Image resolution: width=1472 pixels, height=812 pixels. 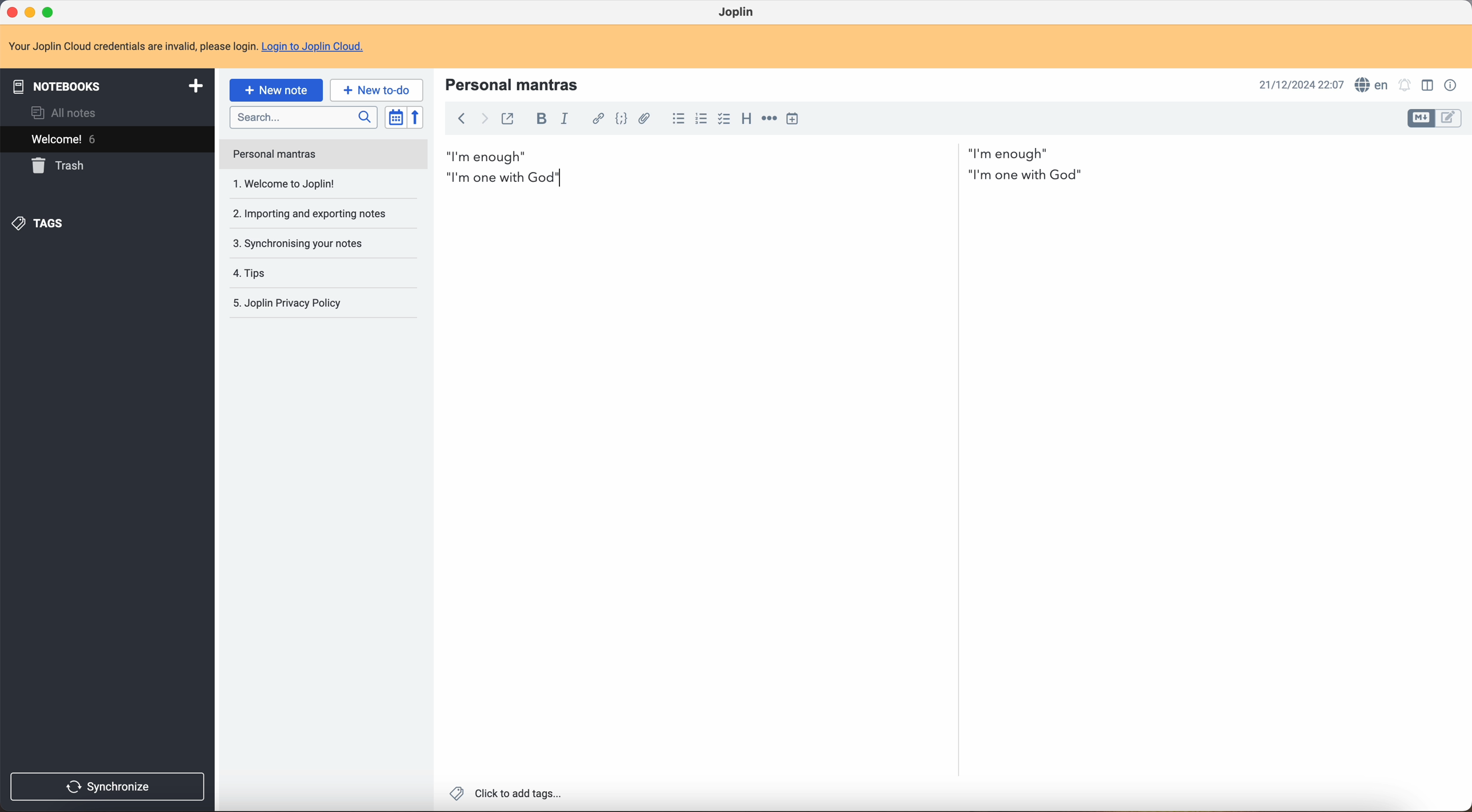 What do you see at coordinates (1449, 119) in the screenshot?
I see `toggle edit layout` at bounding box center [1449, 119].